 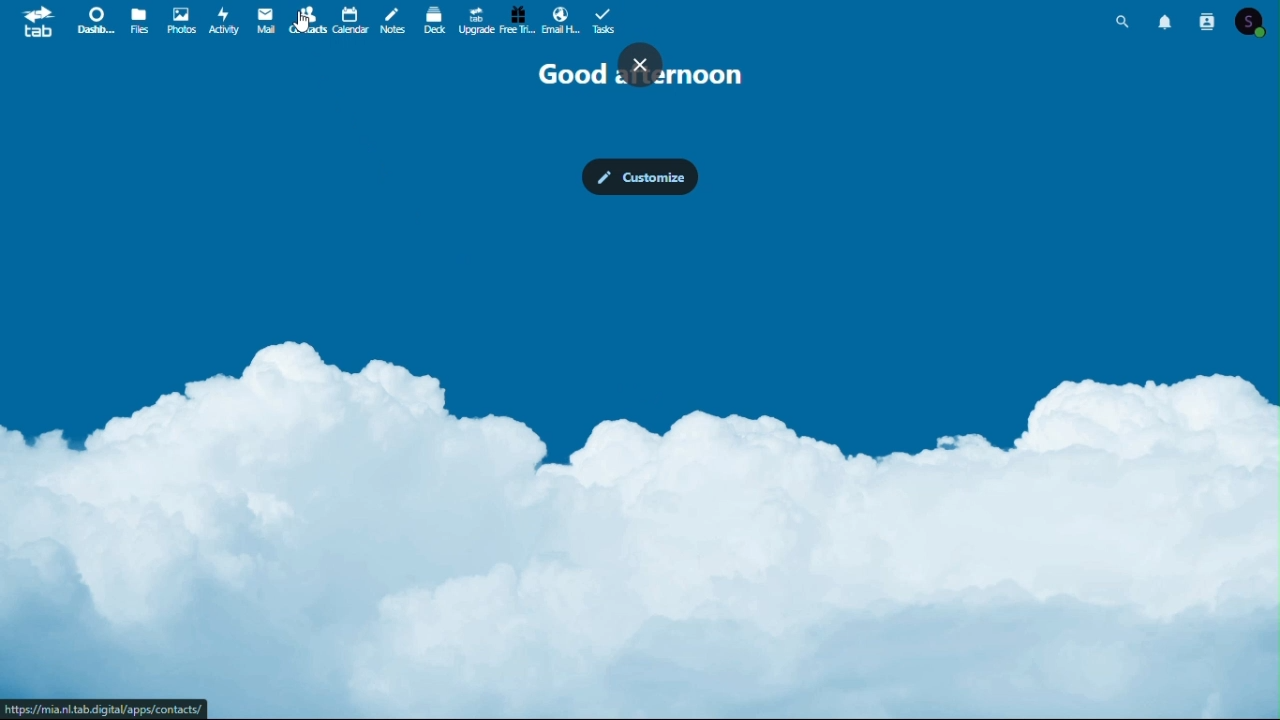 I want to click on Email hosting, so click(x=560, y=19).